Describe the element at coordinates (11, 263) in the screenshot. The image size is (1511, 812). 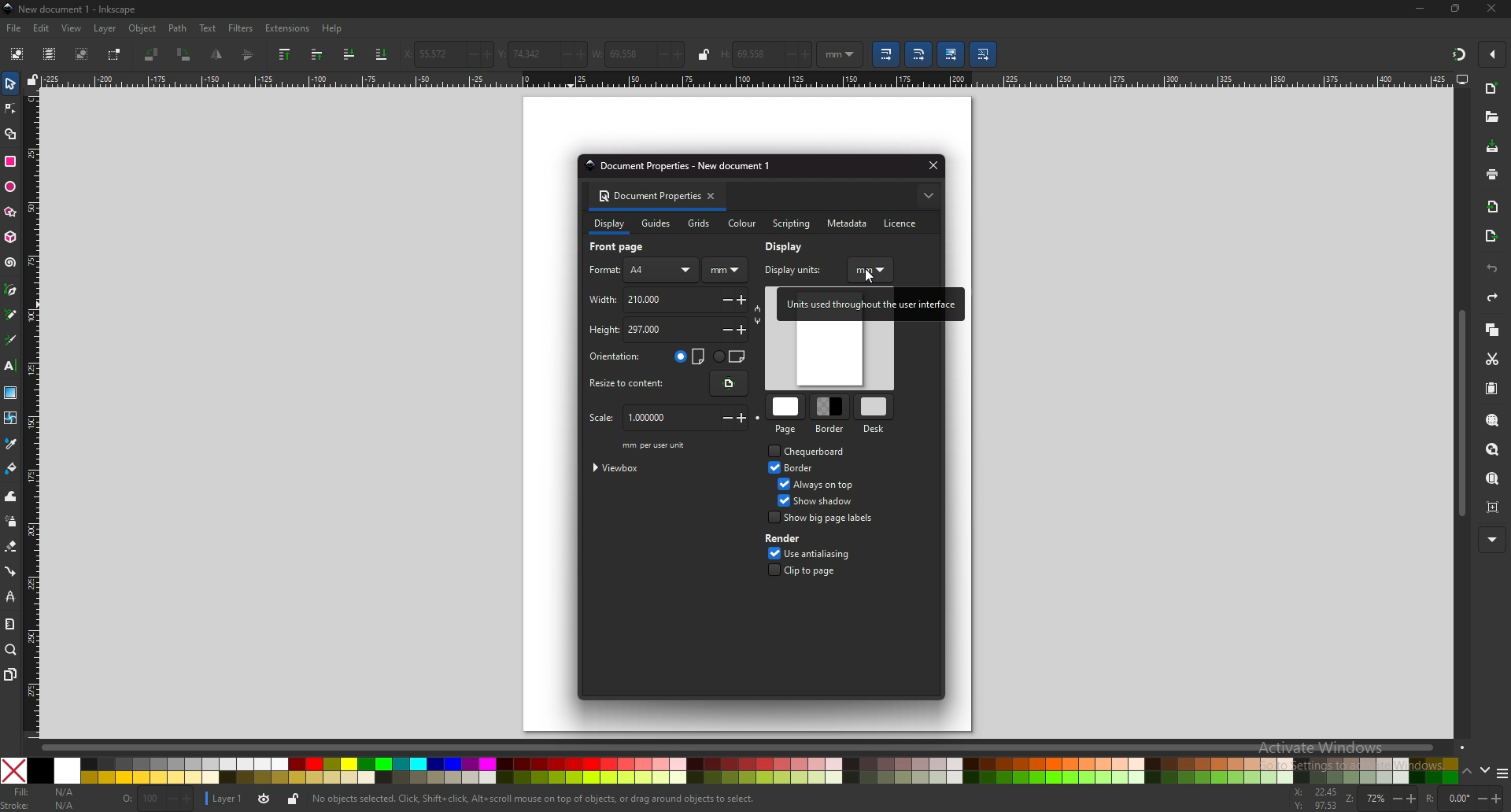
I see `spiral` at that location.